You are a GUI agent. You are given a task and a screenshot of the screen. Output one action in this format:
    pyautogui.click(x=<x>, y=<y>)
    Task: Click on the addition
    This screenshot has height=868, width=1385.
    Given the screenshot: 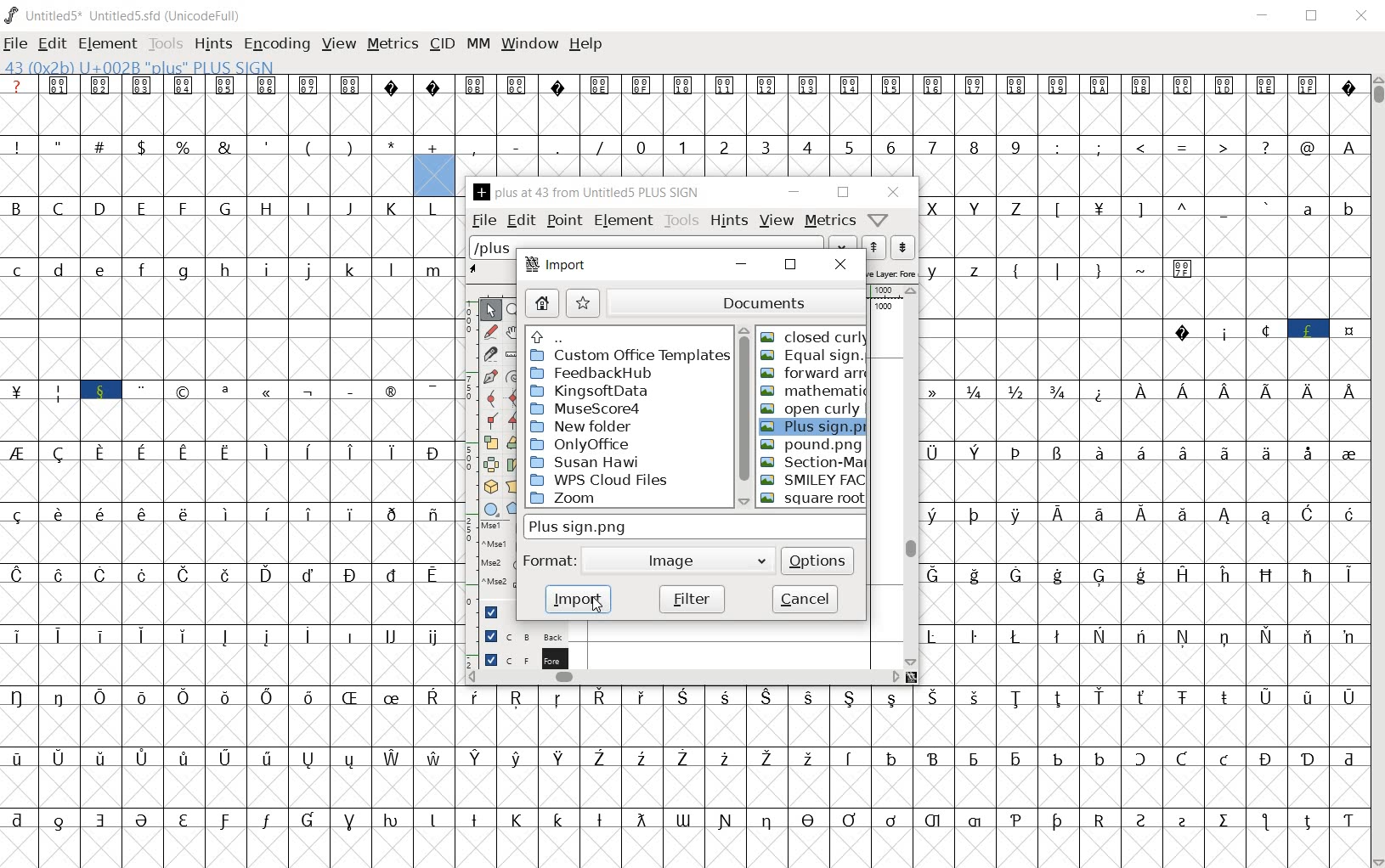 What is the action you would take?
    pyautogui.click(x=434, y=165)
    